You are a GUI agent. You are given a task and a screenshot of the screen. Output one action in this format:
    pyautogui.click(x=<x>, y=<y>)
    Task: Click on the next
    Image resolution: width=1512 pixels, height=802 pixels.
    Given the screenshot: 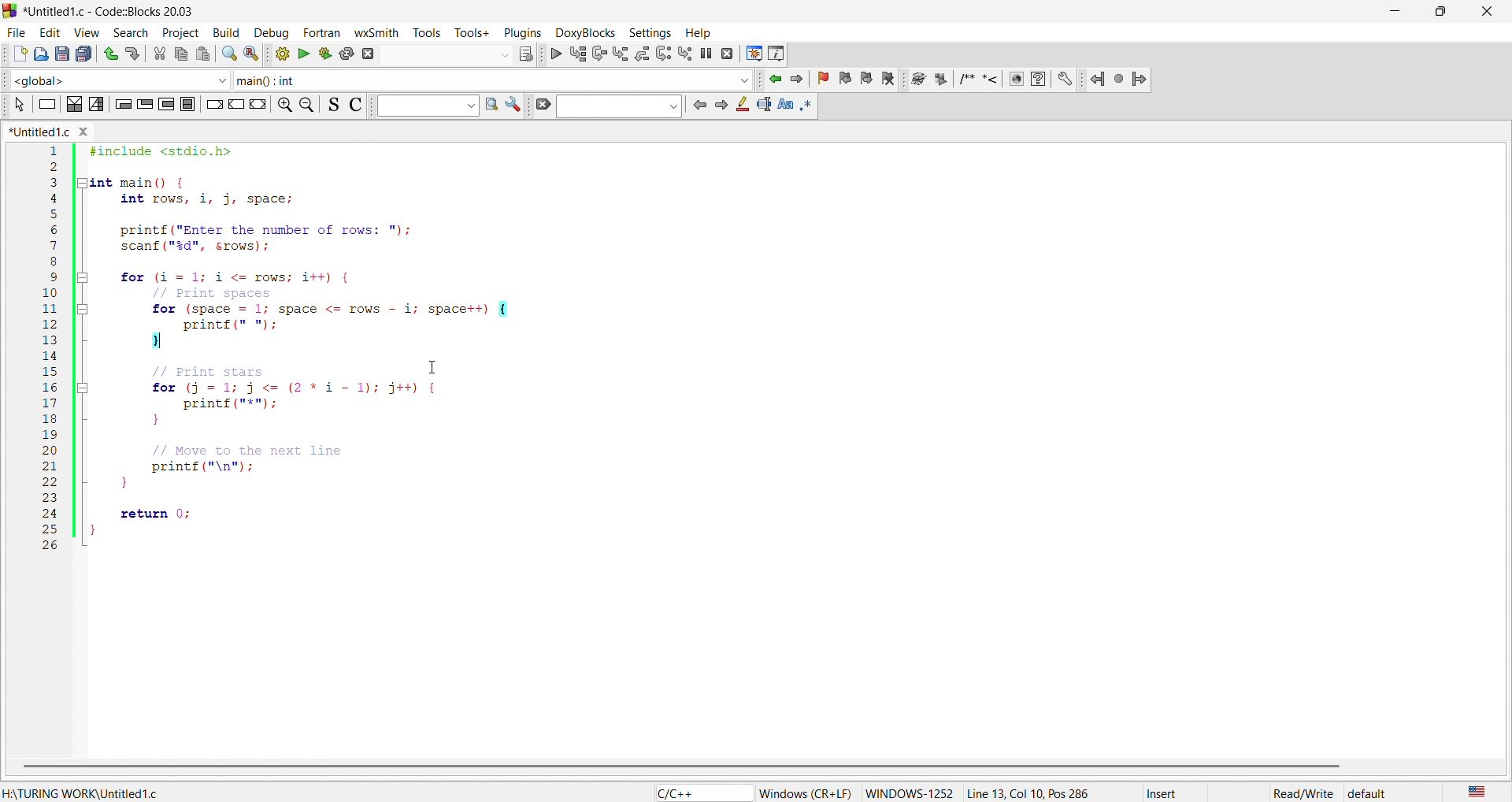 What is the action you would take?
    pyautogui.click(x=721, y=106)
    